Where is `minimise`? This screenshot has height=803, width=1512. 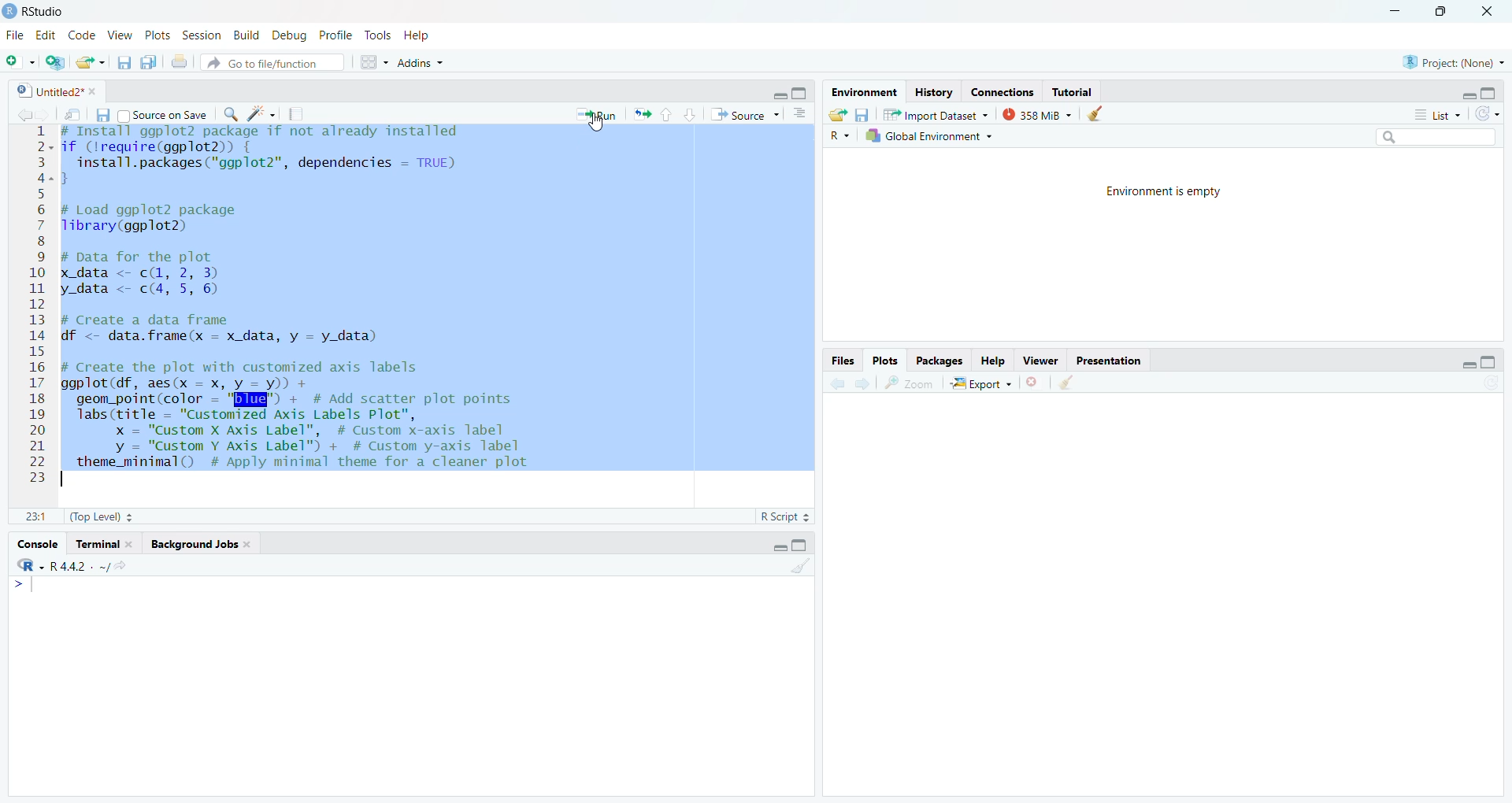
minimise is located at coordinates (1469, 364).